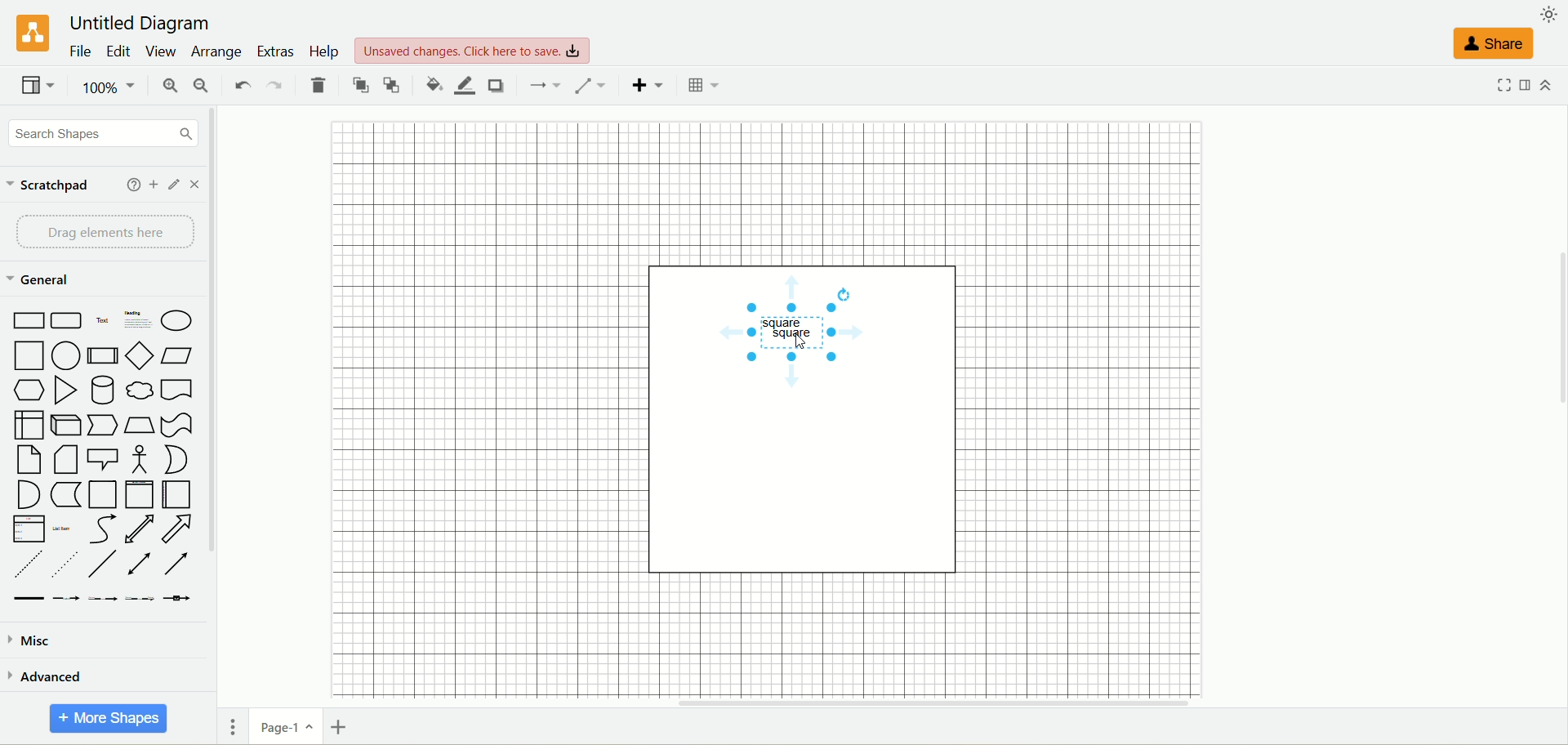 Image resolution: width=1568 pixels, height=745 pixels. Describe the element at coordinates (36, 638) in the screenshot. I see `misc` at that location.